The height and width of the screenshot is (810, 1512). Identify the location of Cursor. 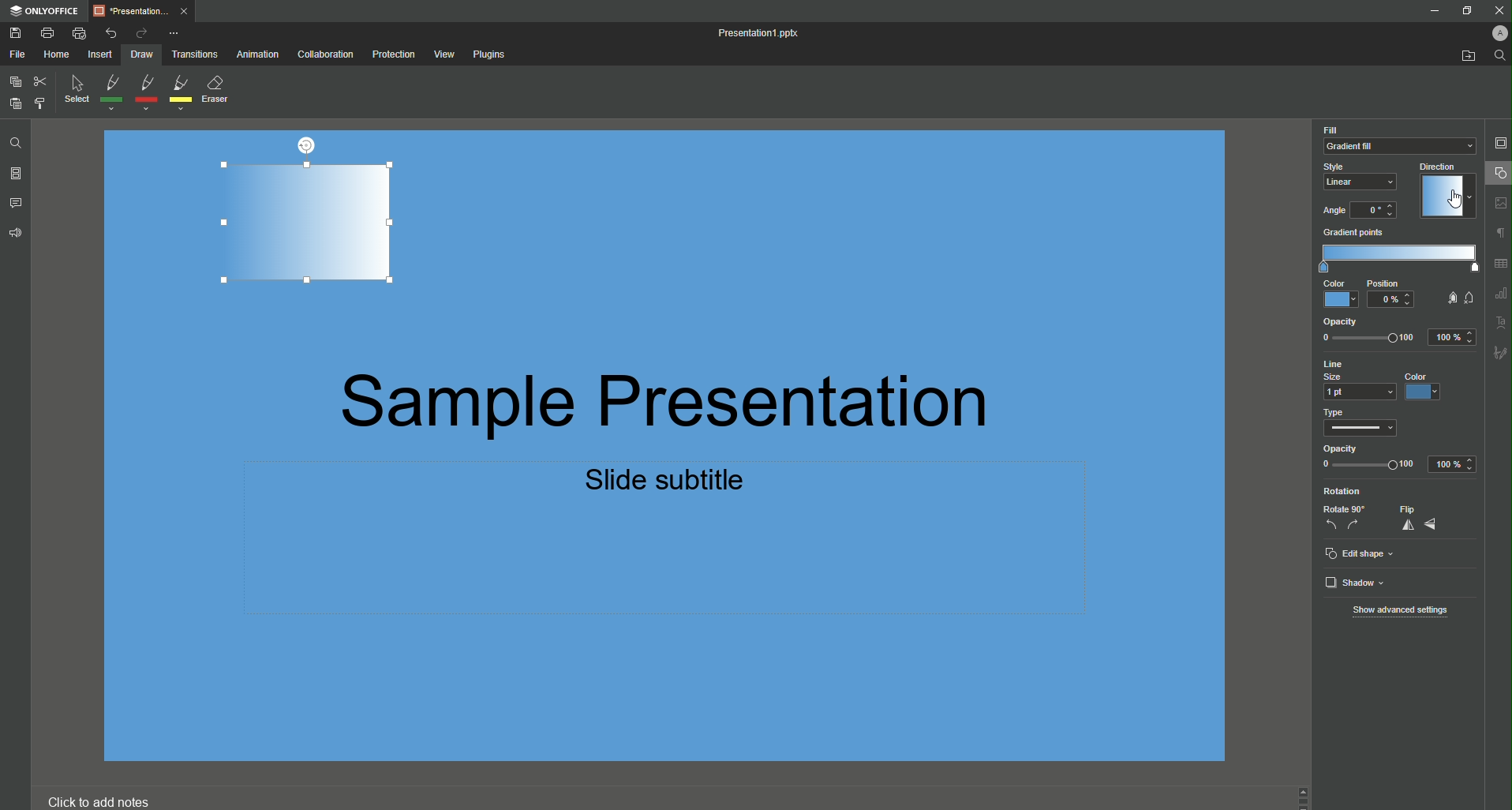
(1496, 175).